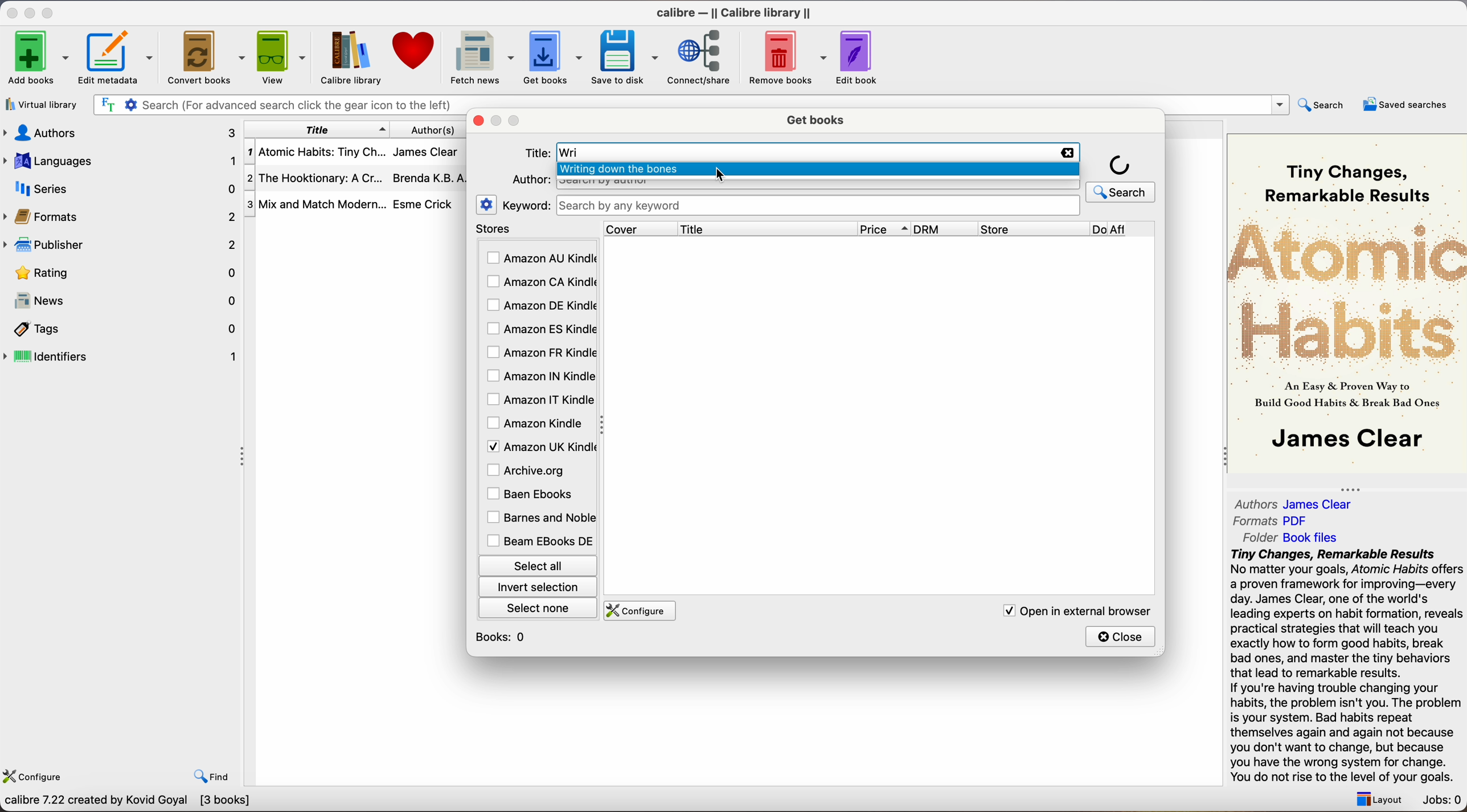  What do you see at coordinates (480, 58) in the screenshot?
I see `fetch news` at bounding box center [480, 58].